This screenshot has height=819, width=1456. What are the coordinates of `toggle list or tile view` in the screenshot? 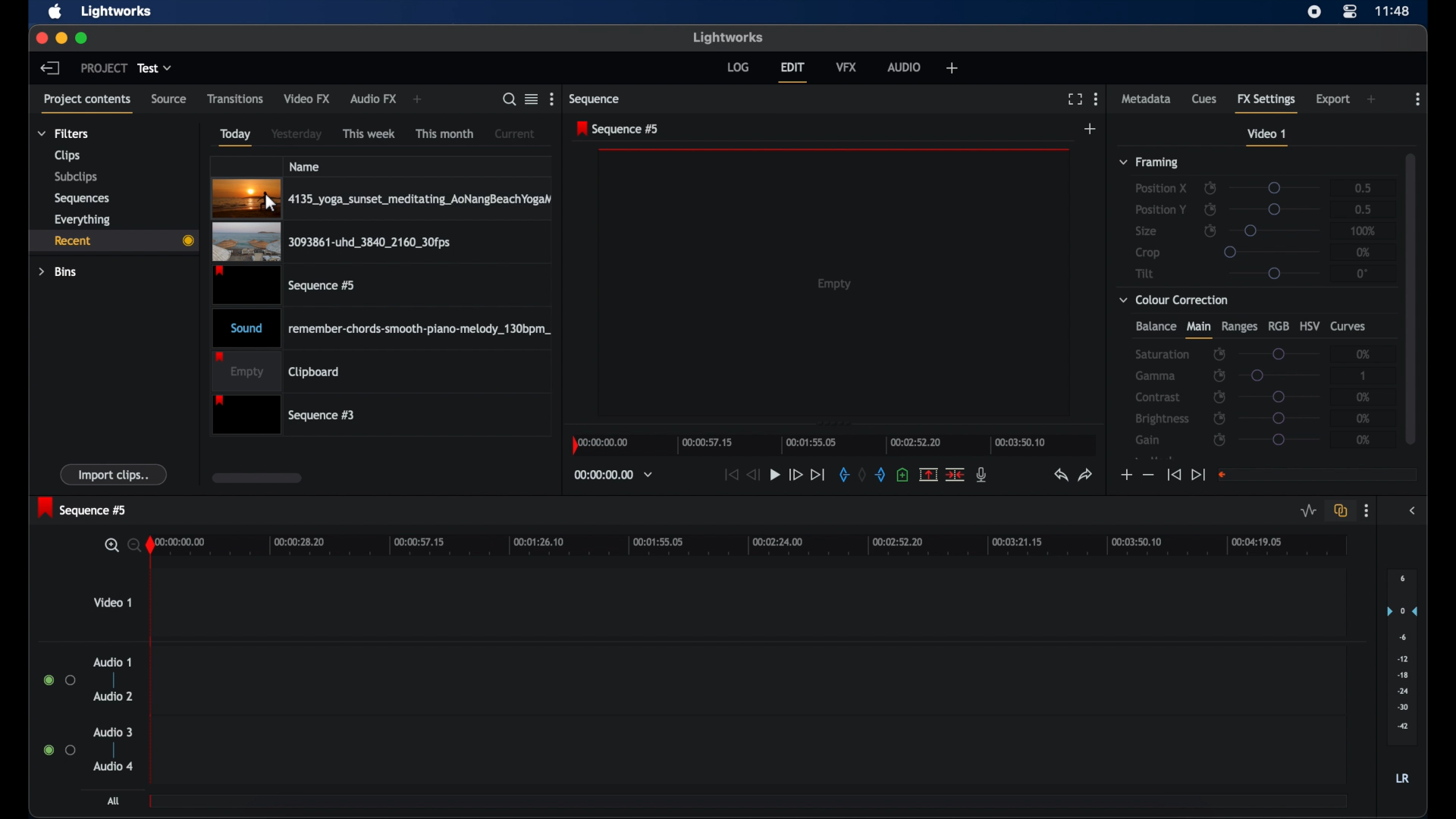 It's located at (532, 99).